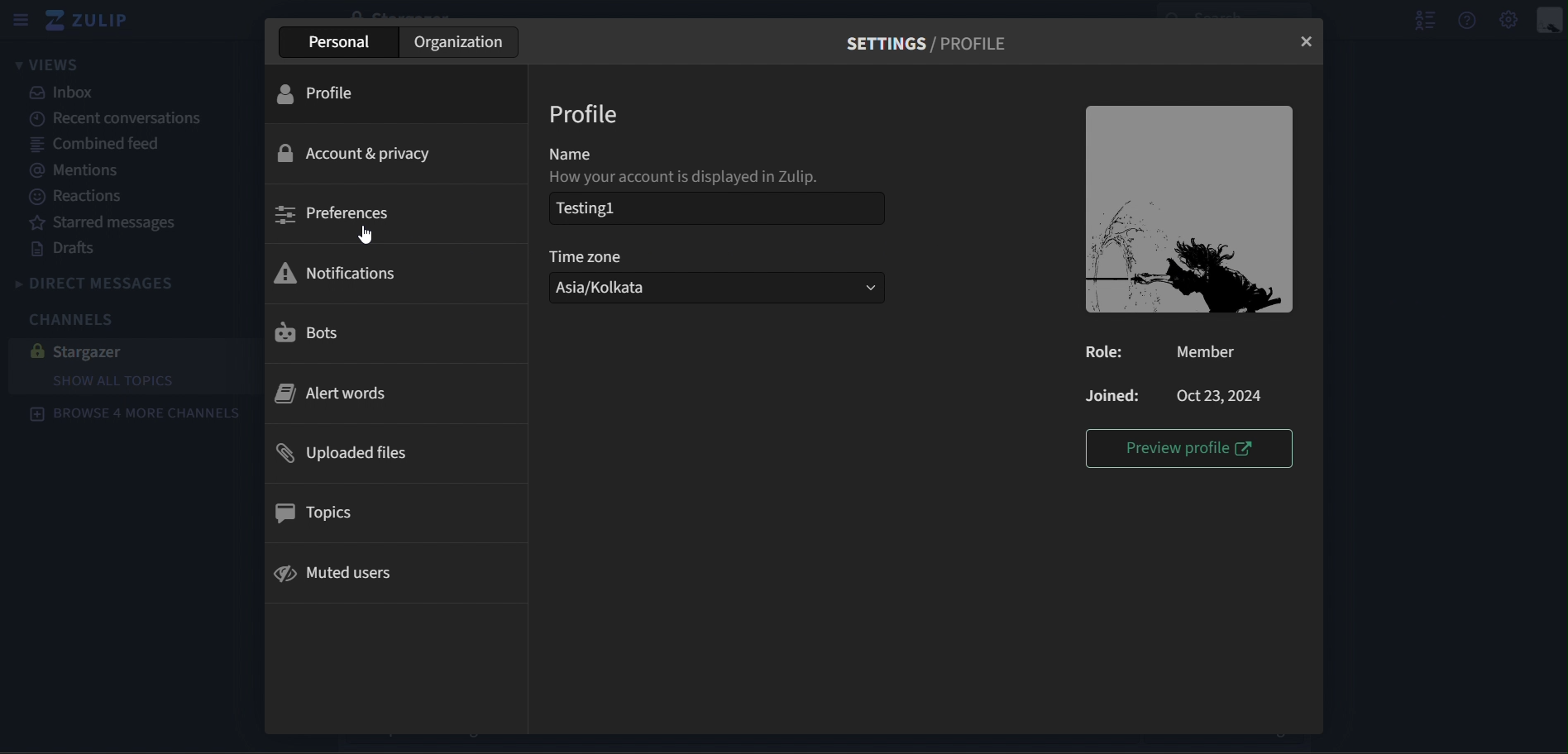  I want to click on personal menu, so click(1548, 19).